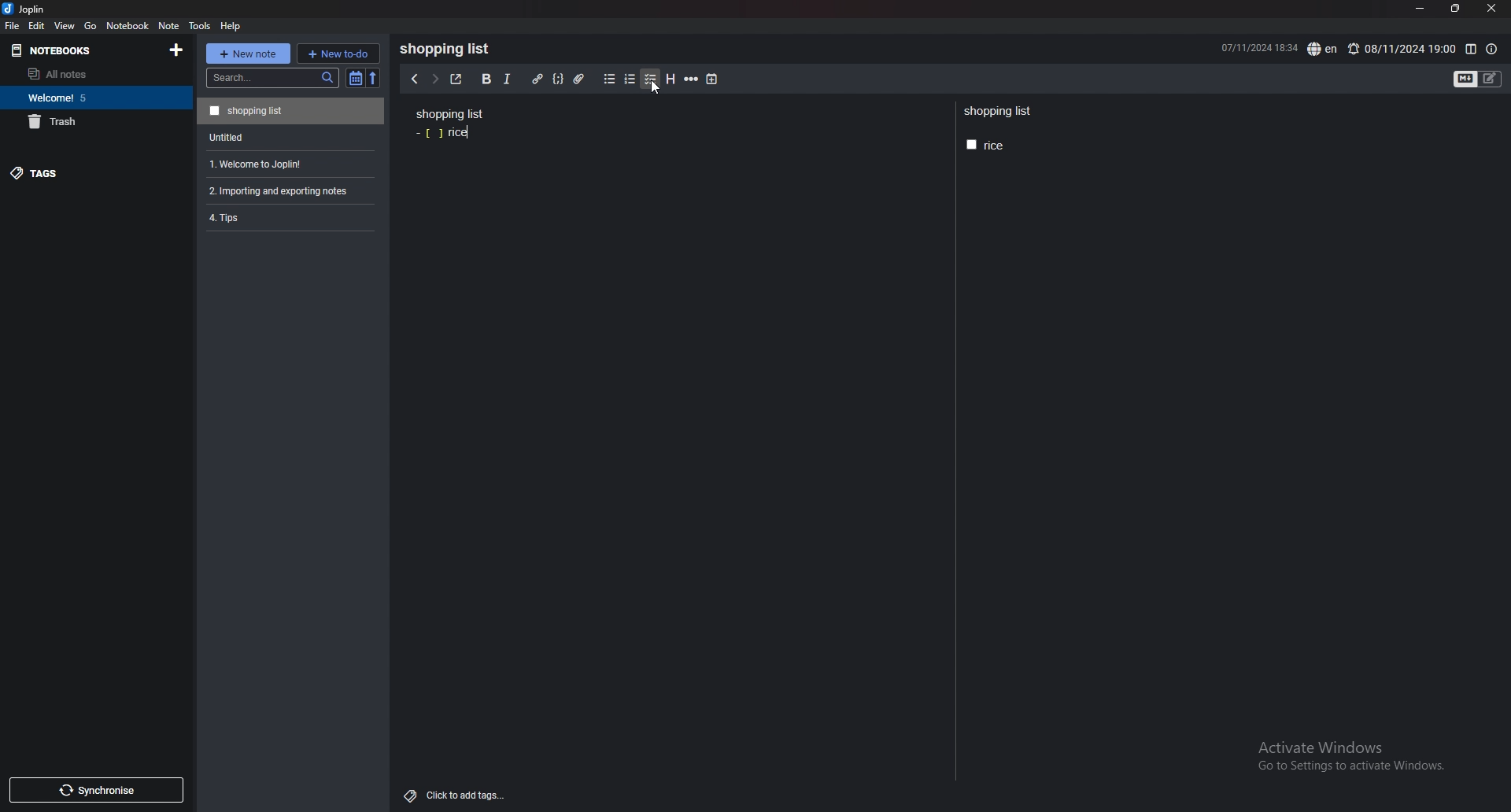 The height and width of the screenshot is (812, 1511). I want to click on bullet list, so click(609, 79).